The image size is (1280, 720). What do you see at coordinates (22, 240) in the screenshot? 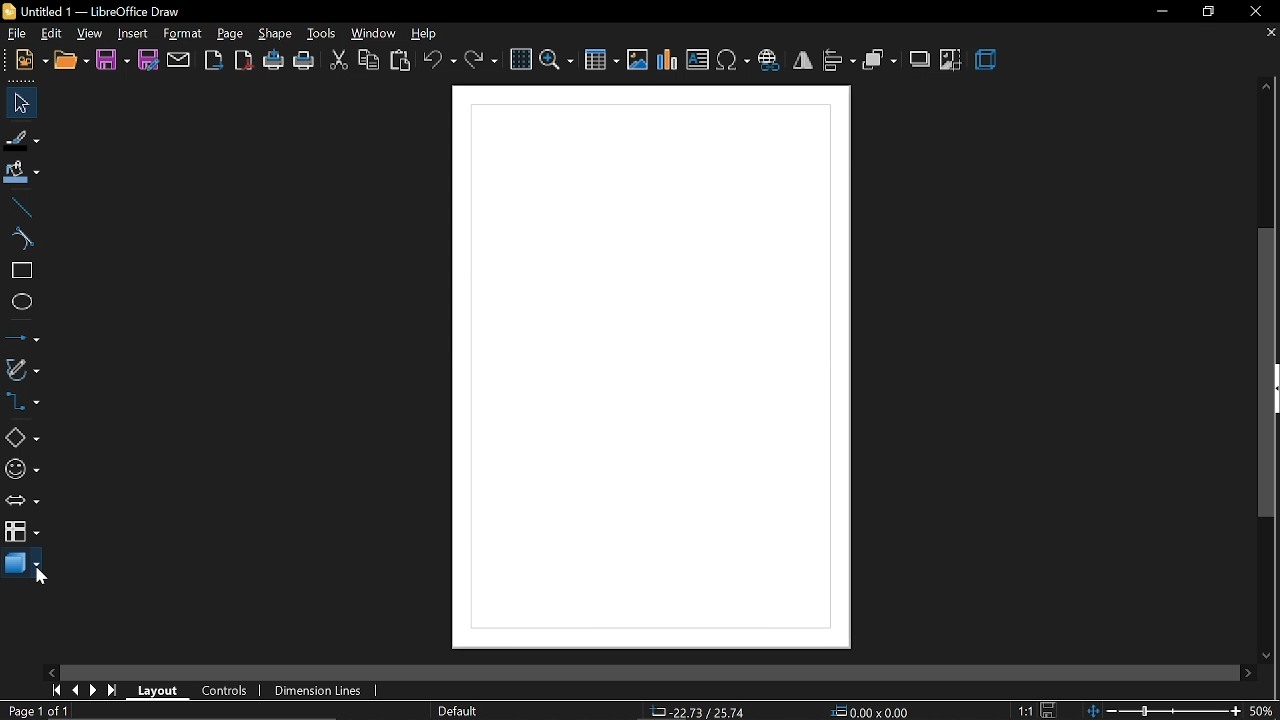
I see `curve` at bounding box center [22, 240].